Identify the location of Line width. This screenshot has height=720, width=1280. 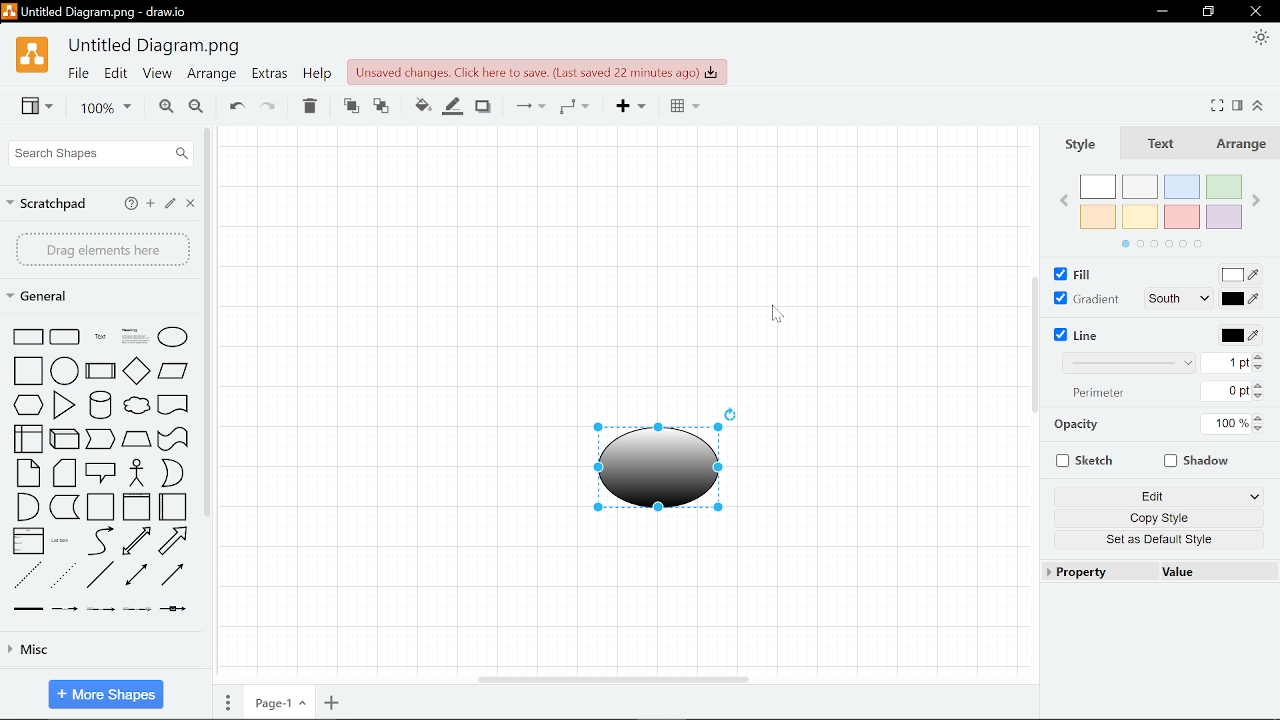
(1134, 364).